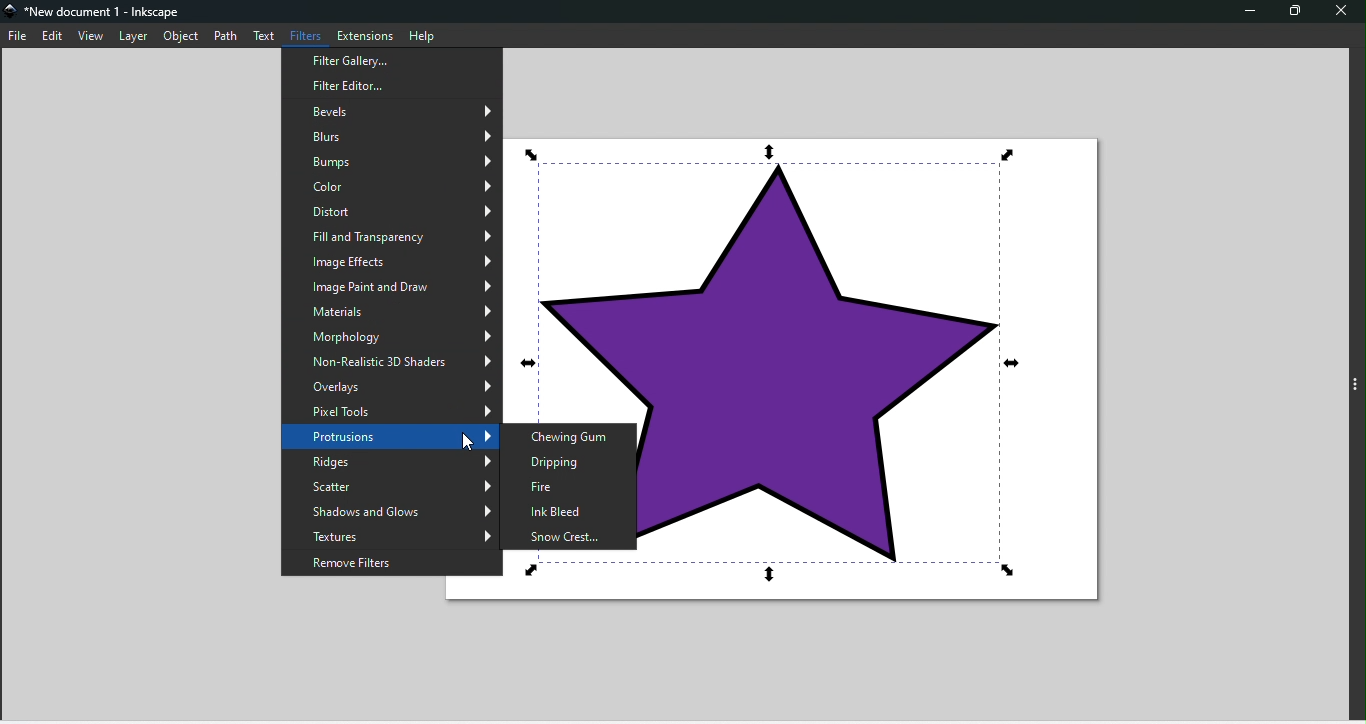 The height and width of the screenshot is (724, 1366). What do you see at coordinates (390, 463) in the screenshot?
I see `Ridges` at bounding box center [390, 463].